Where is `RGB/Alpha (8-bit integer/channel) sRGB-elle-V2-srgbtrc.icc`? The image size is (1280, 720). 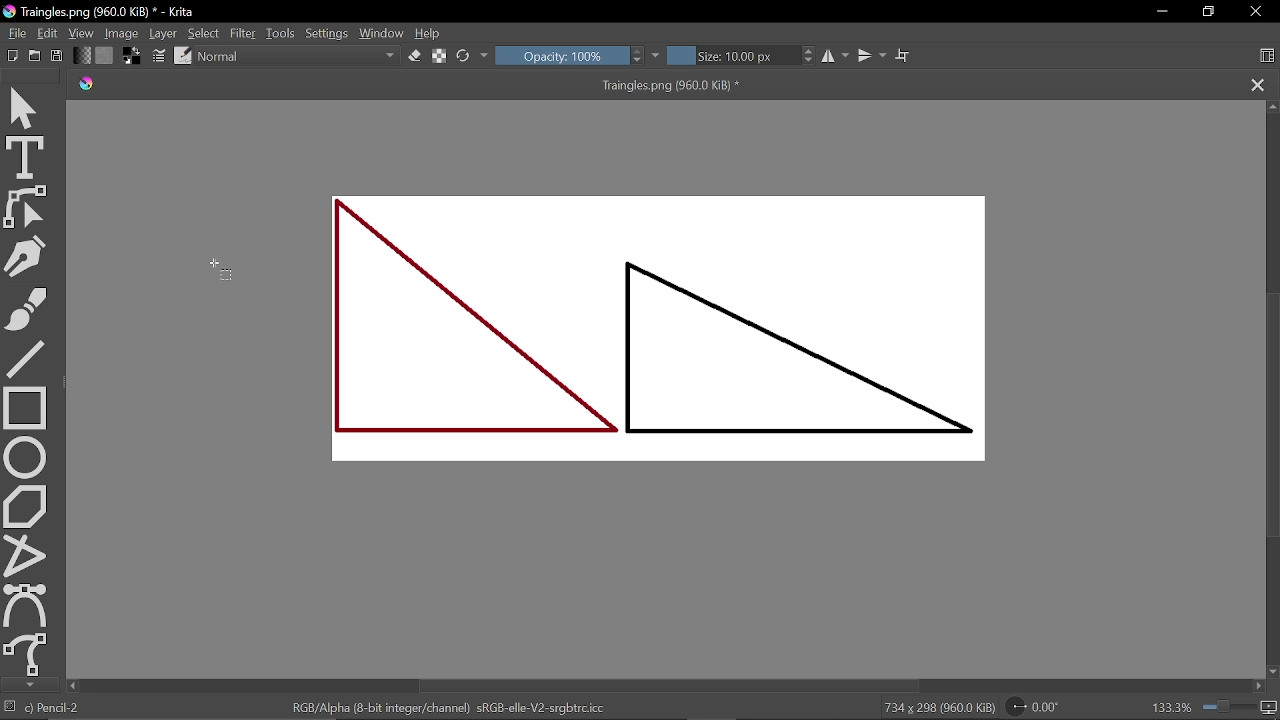
RGB/Alpha (8-bit integer/channel) sRGB-elle-V2-srgbtrc.icc is located at coordinates (450, 706).